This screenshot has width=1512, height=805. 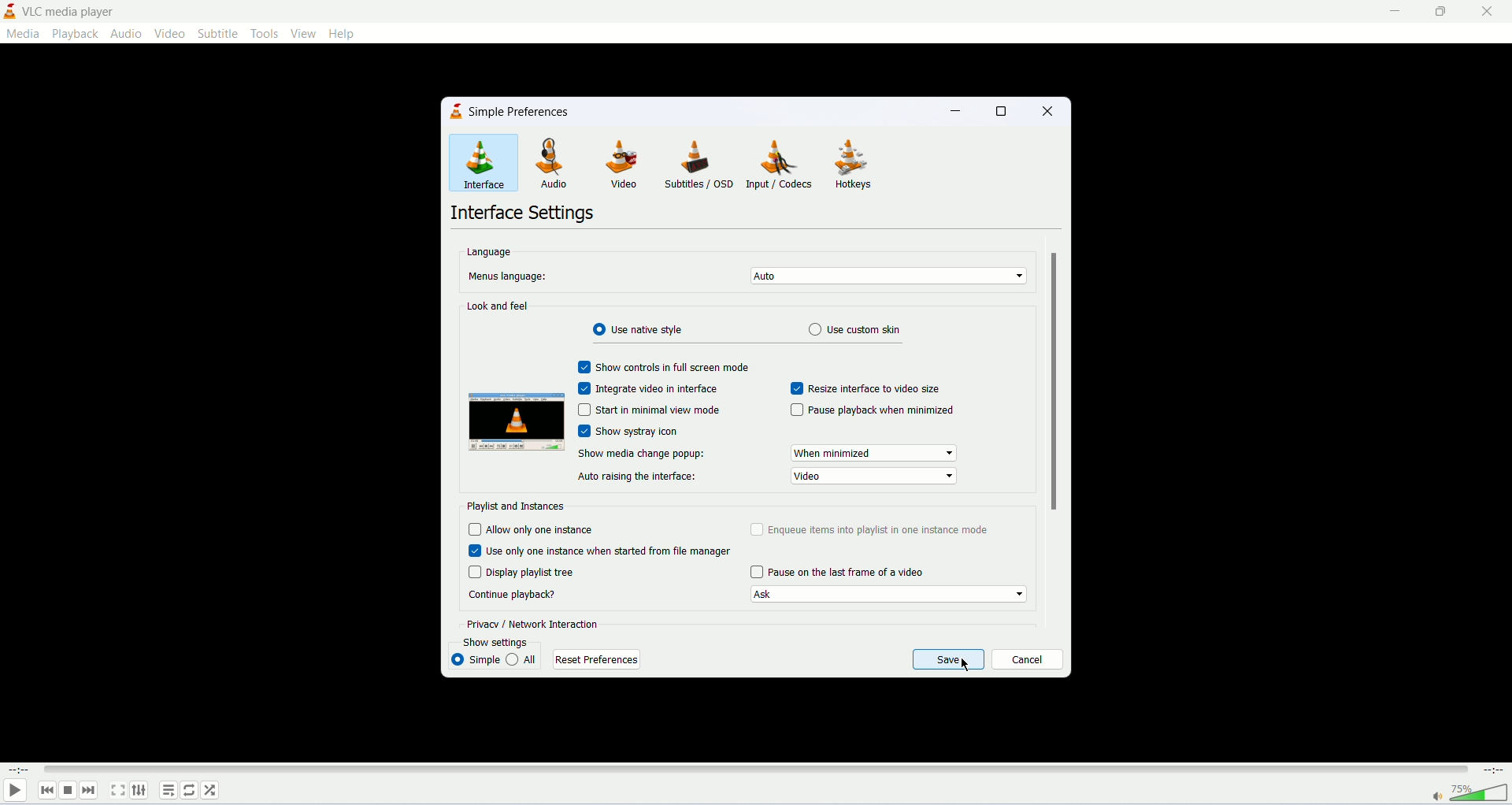 What do you see at coordinates (966, 666) in the screenshot?
I see `mouse cursor` at bounding box center [966, 666].